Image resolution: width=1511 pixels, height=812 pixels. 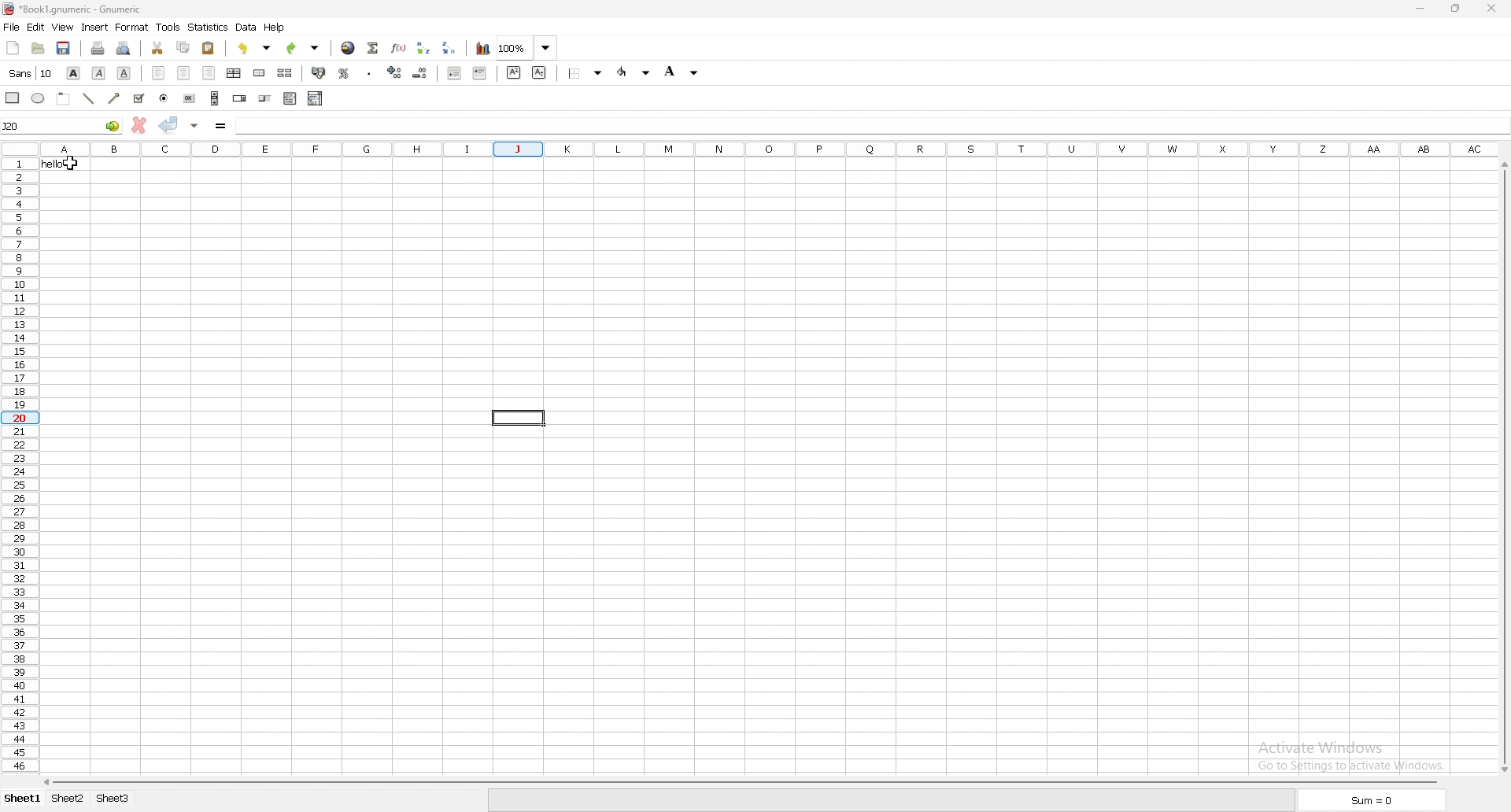 I want to click on scroll bar, so click(x=1509, y=465).